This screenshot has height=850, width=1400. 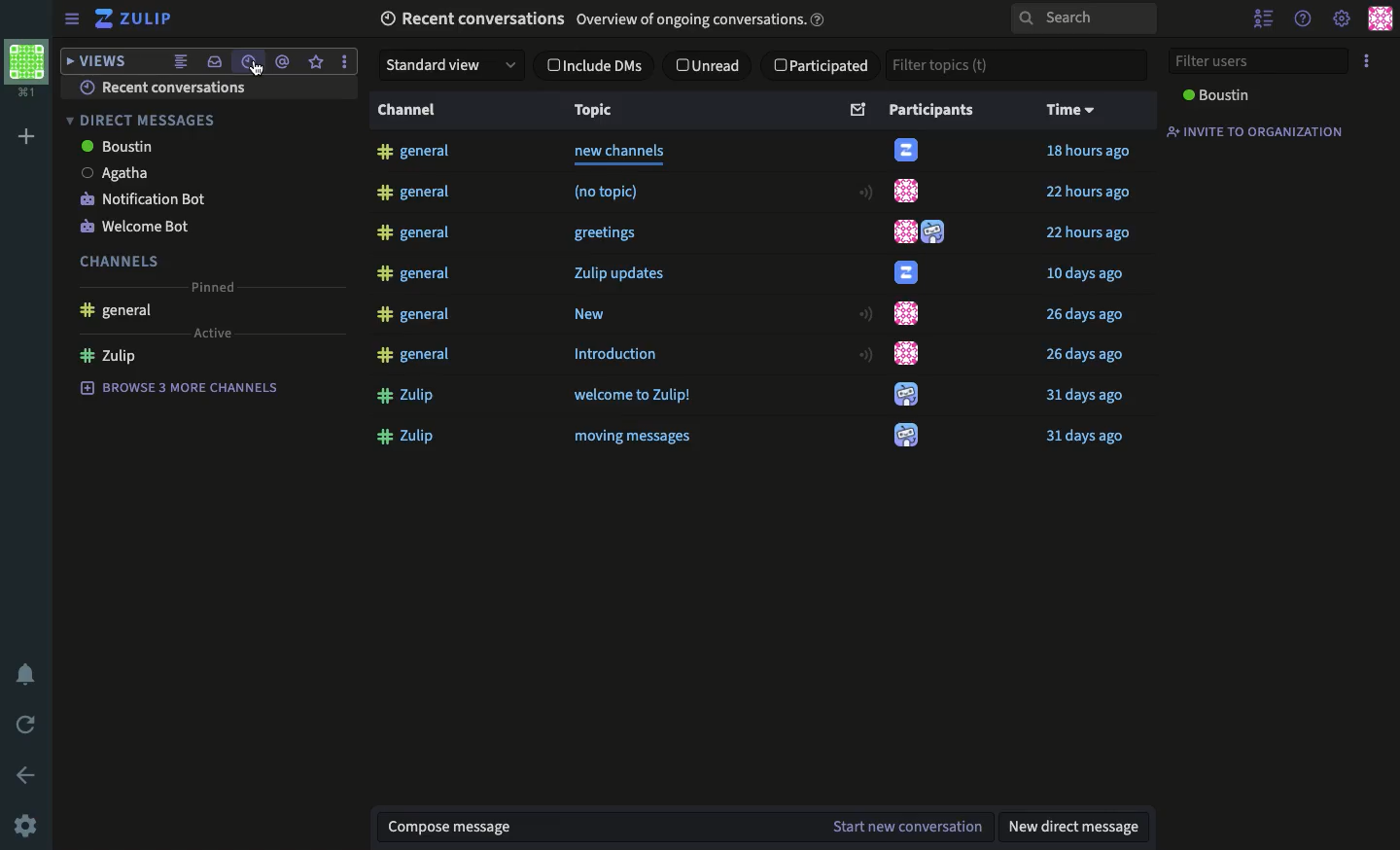 I want to click on user profile, so click(x=905, y=352).